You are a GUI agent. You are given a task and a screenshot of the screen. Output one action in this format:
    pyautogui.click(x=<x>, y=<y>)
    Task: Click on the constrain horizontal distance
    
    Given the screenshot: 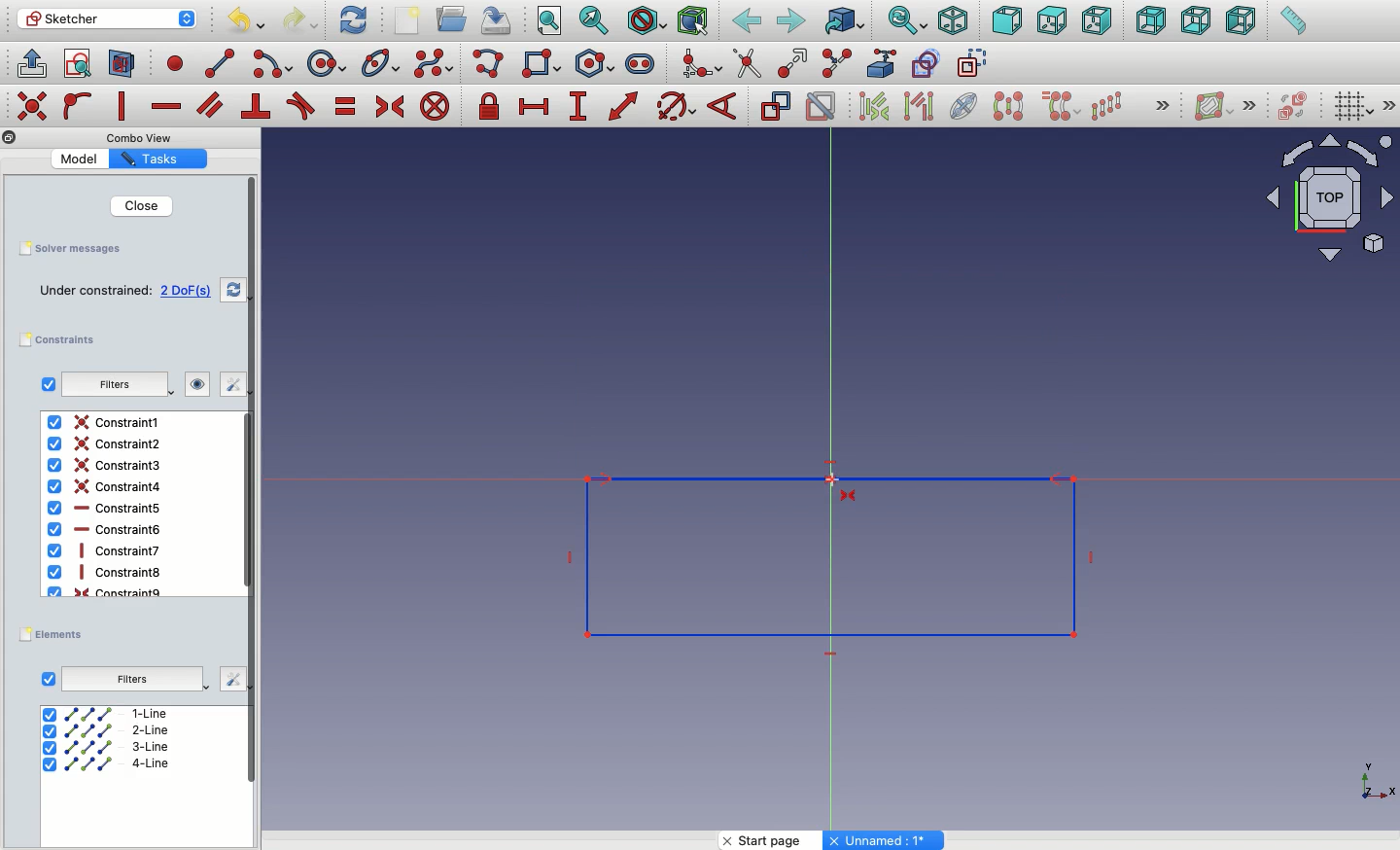 What is the action you would take?
    pyautogui.click(x=535, y=105)
    